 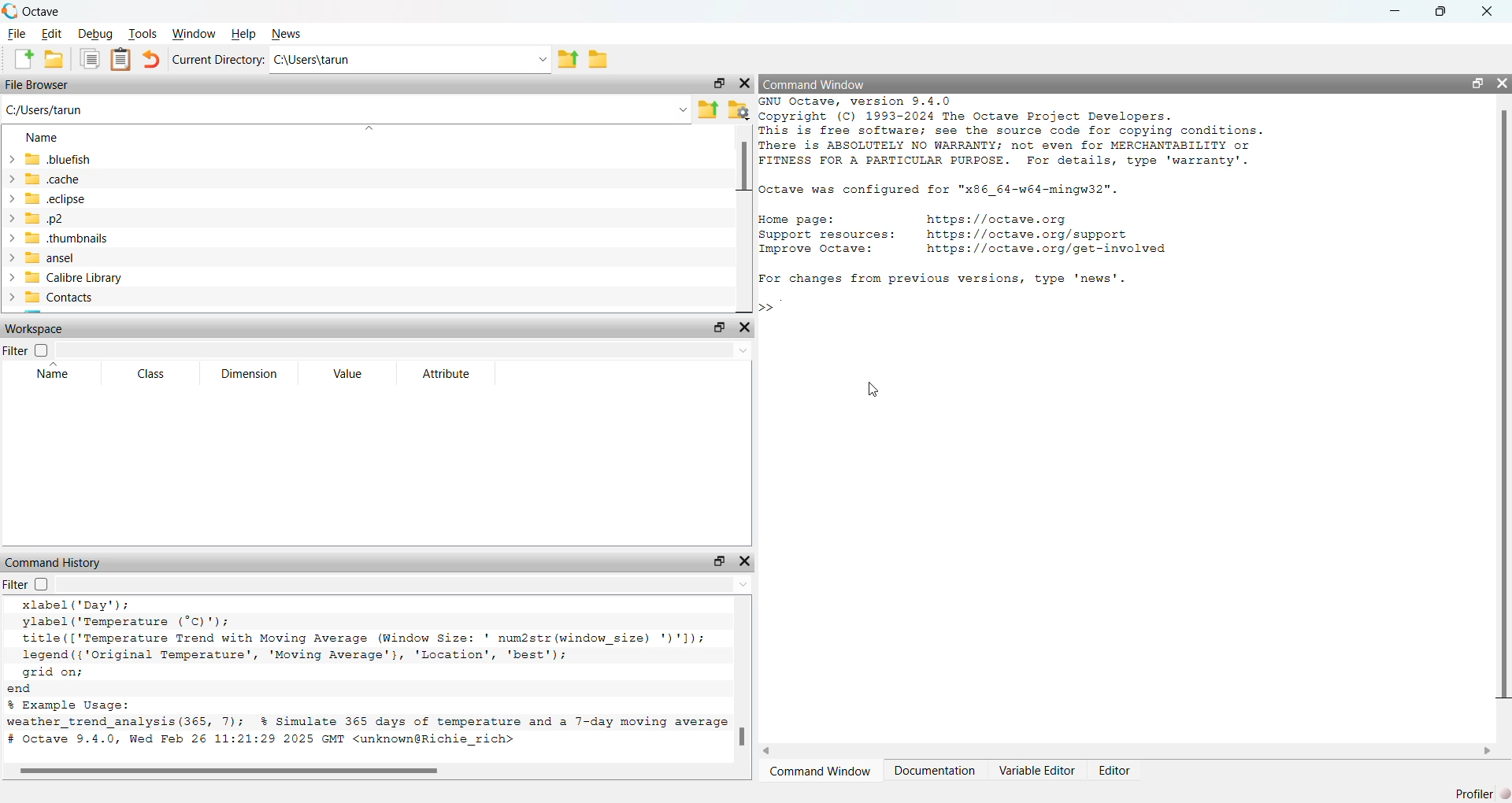 I want to click on File Browser, so click(x=39, y=84).